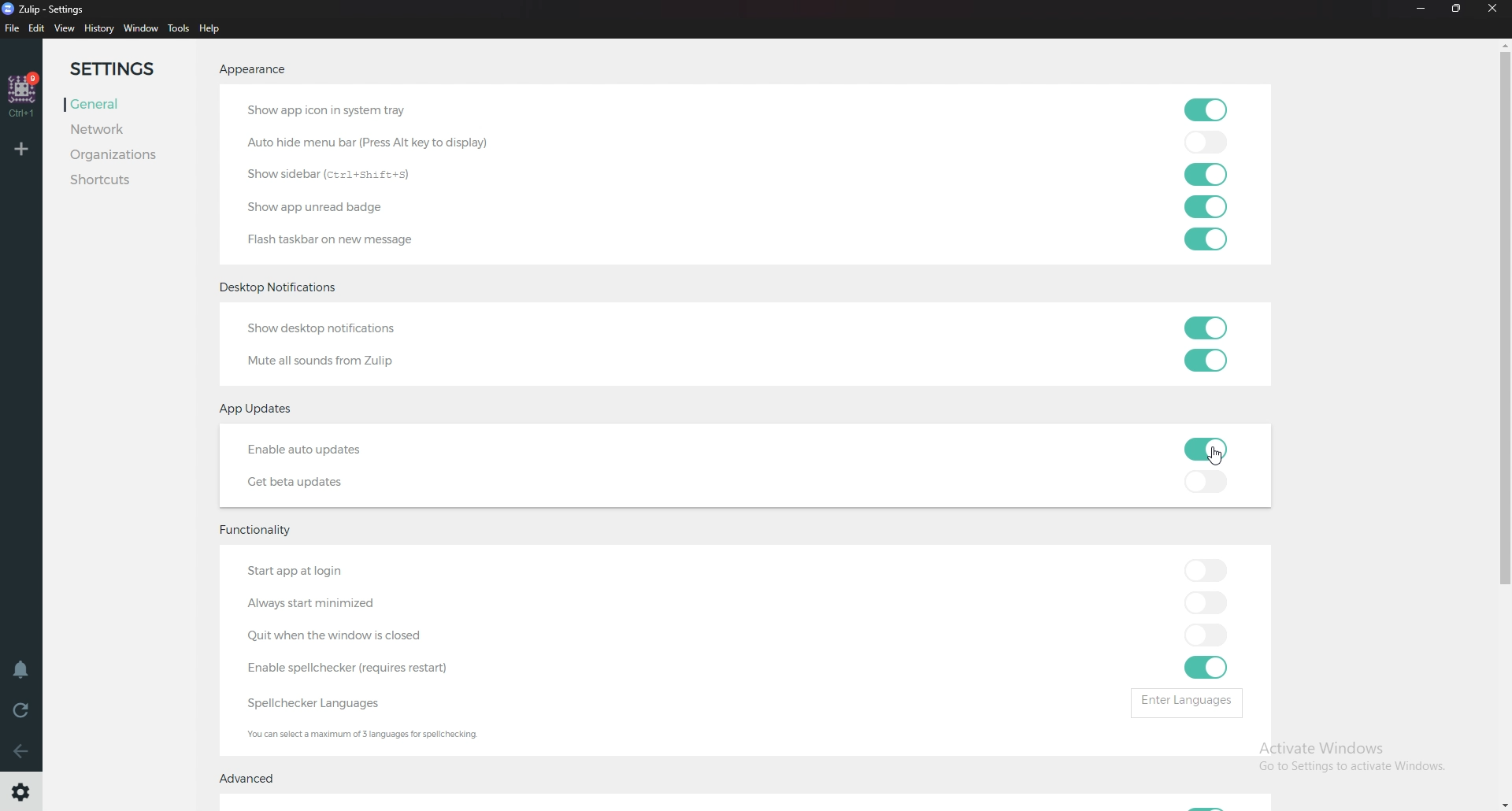 The width and height of the screenshot is (1512, 811). Describe the element at coordinates (336, 172) in the screenshot. I see `Show sidebar` at that location.